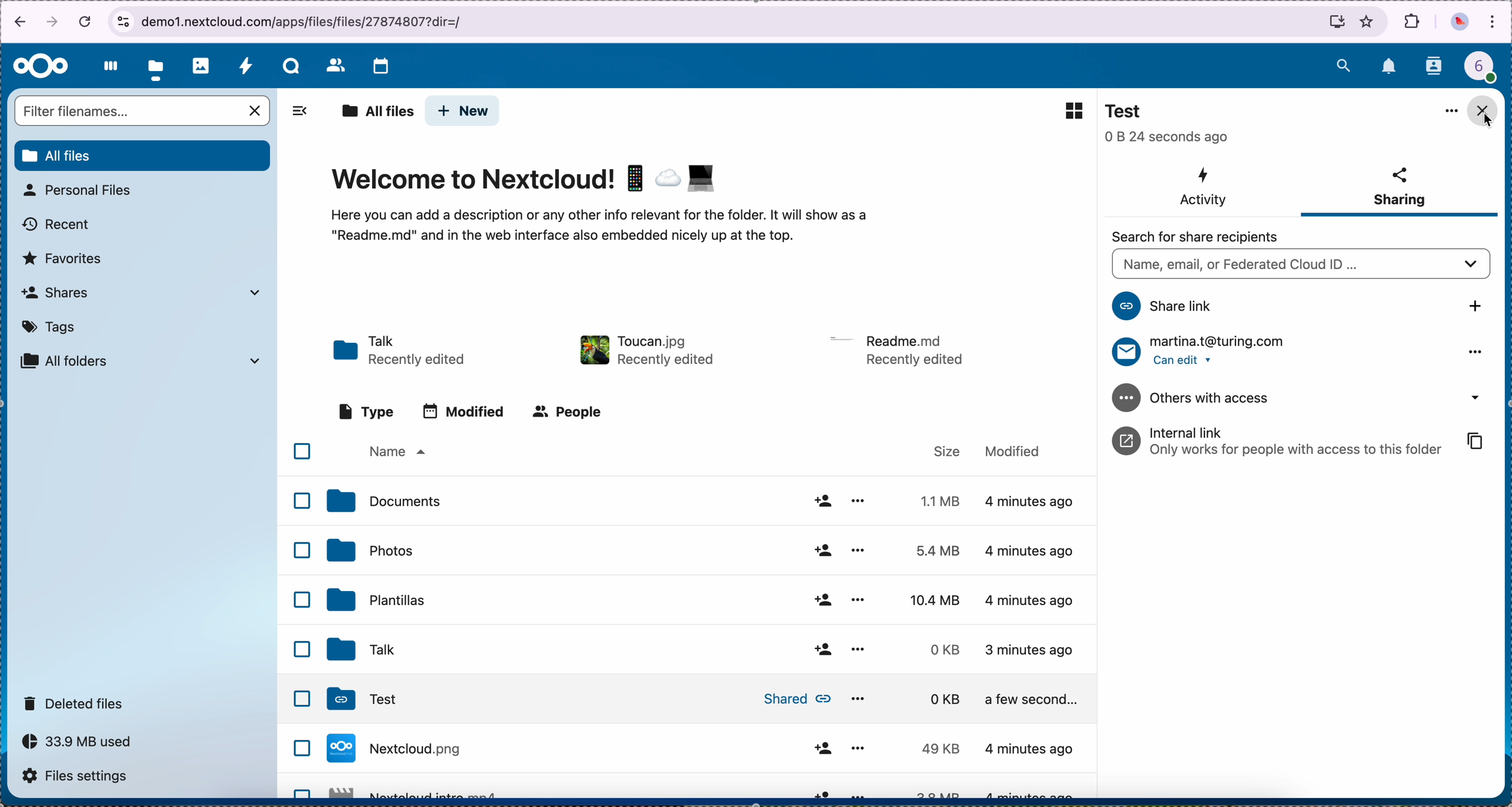 The image size is (1512, 807). Describe the element at coordinates (1483, 110) in the screenshot. I see `click on close button` at that location.